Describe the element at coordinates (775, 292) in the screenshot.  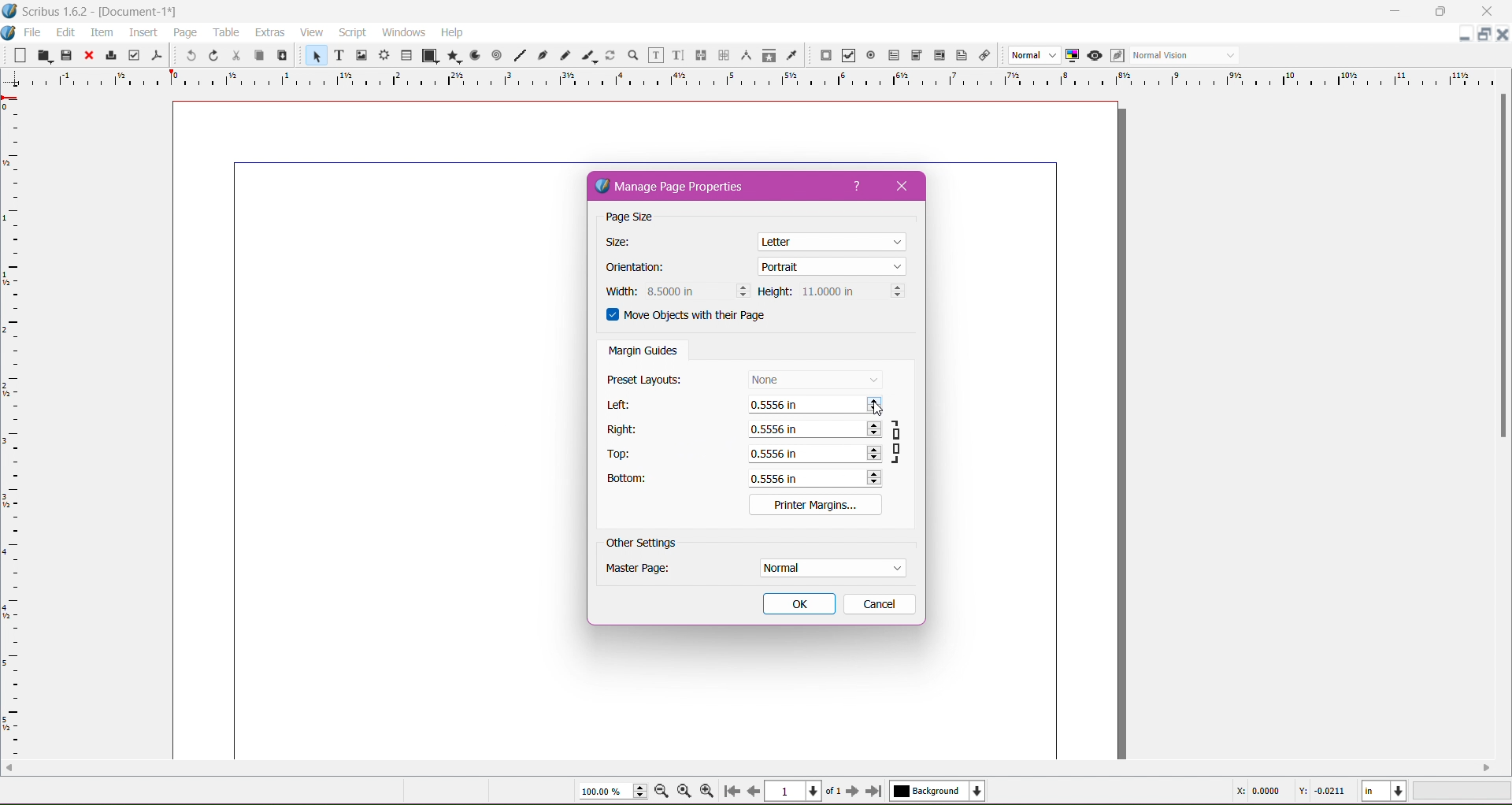
I see `Height` at that location.